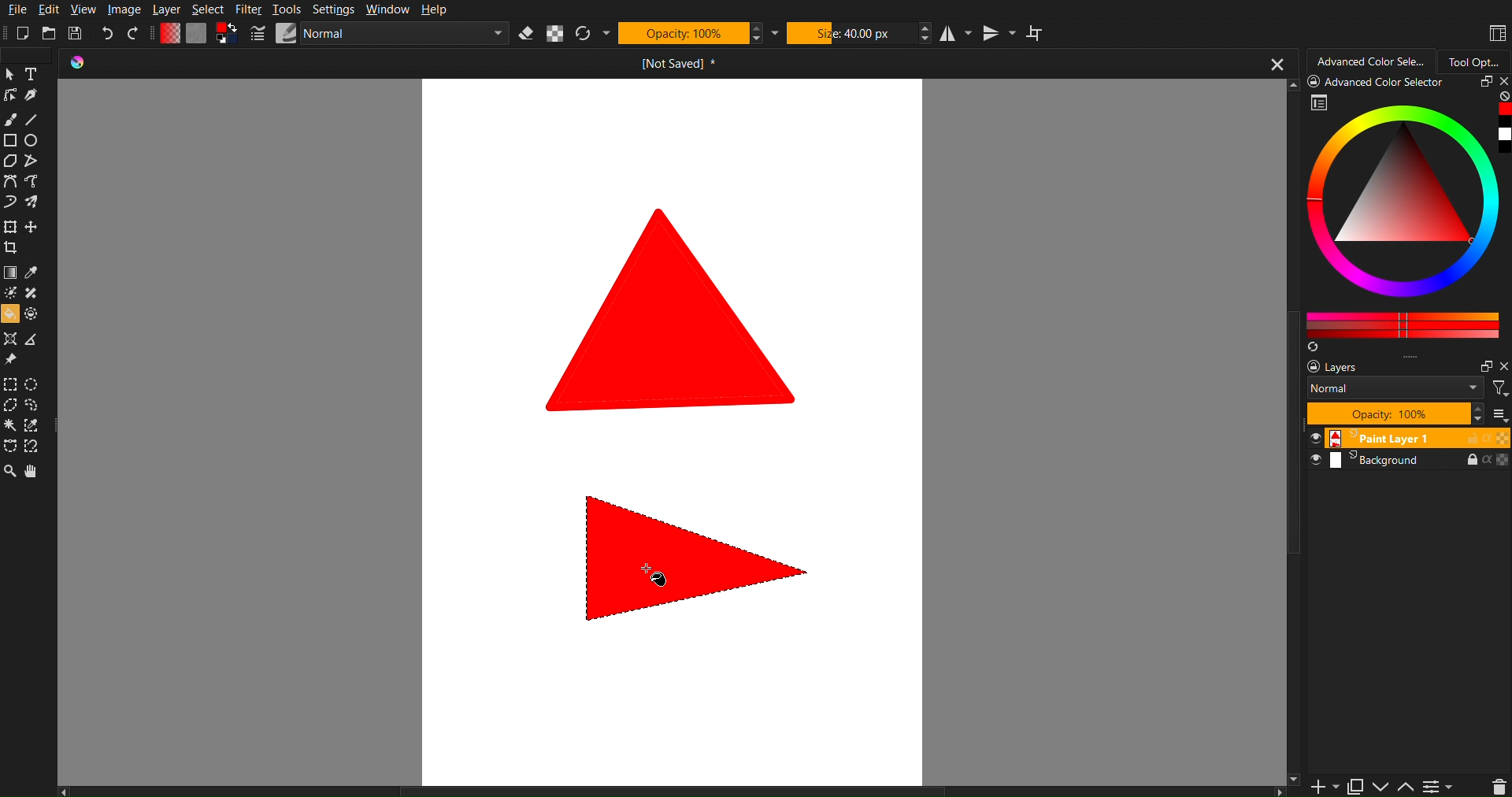  Describe the element at coordinates (683, 34) in the screenshot. I see `Opacity` at that location.